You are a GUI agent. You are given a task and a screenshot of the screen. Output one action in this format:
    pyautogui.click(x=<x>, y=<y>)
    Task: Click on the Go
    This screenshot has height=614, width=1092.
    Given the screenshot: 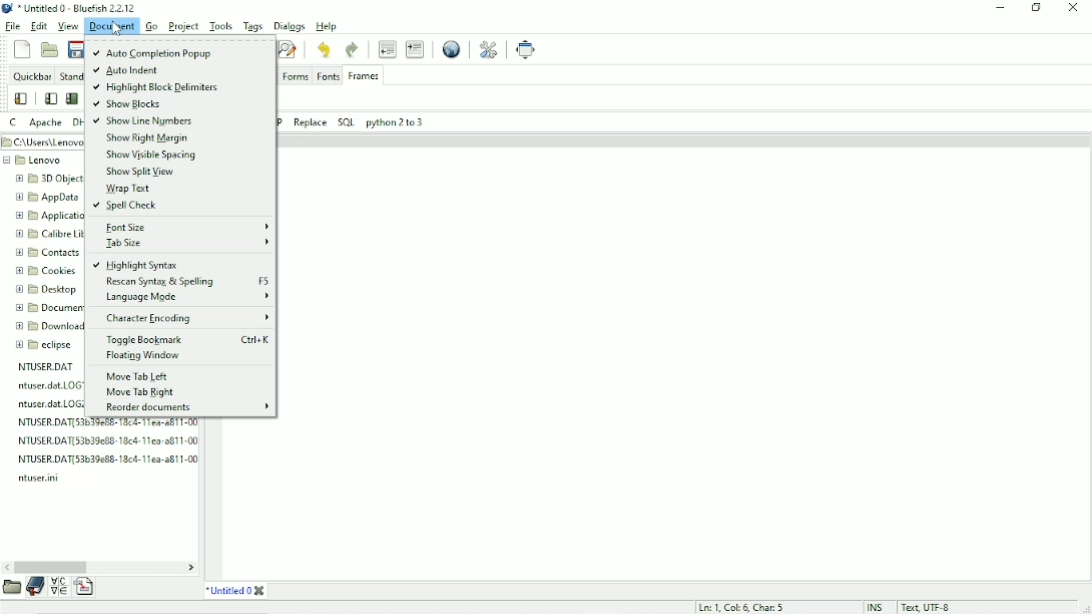 What is the action you would take?
    pyautogui.click(x=154, y=29)
    